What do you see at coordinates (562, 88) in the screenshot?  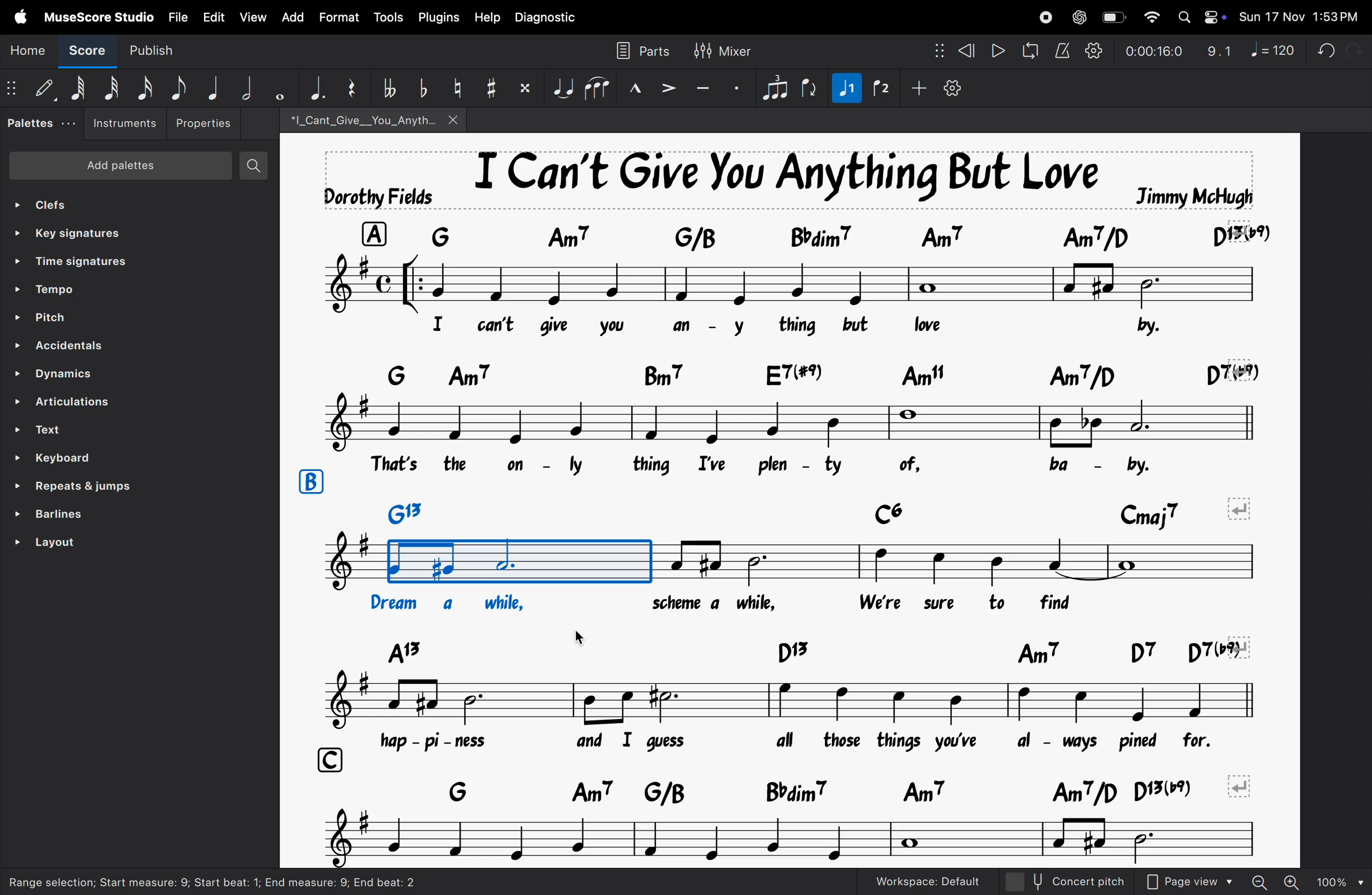 I see `tie` at bounding box center [562, 88].